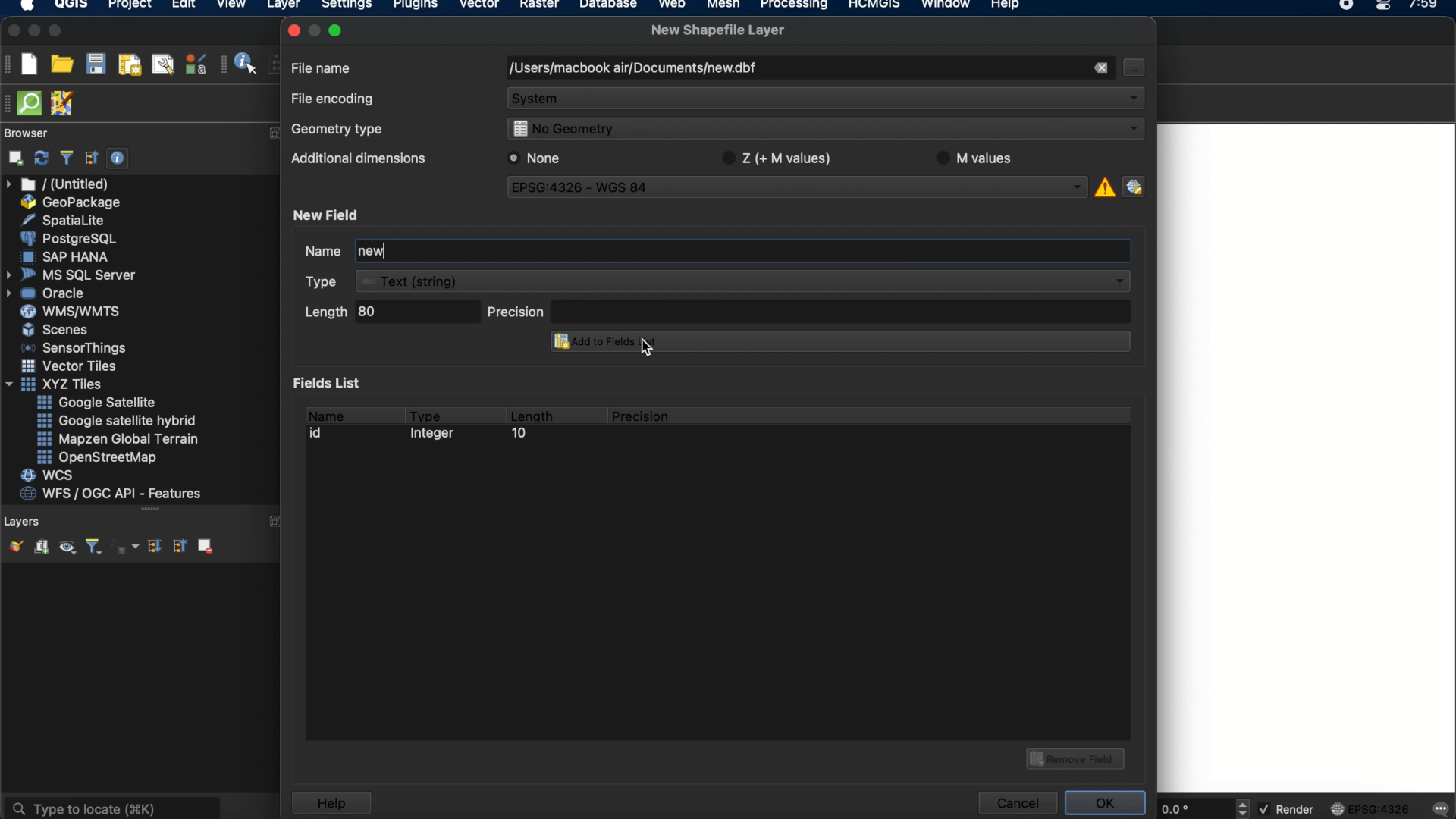 The width and height of the screenshot is (1456, 819). I want to click on Additional dimensions, so click(356, 161).